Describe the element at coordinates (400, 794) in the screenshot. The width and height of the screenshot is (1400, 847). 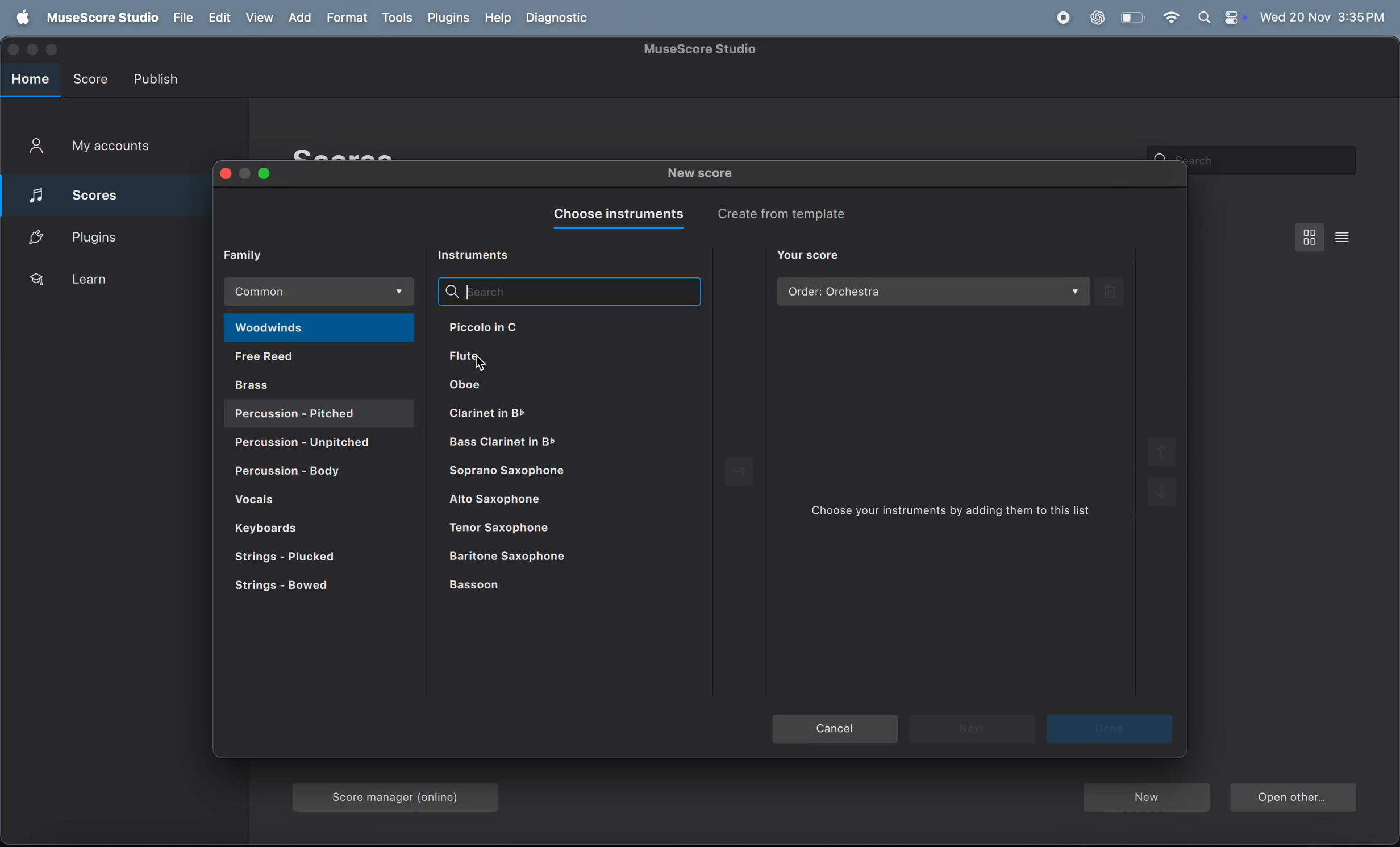
I see `score mangager online` at that location.